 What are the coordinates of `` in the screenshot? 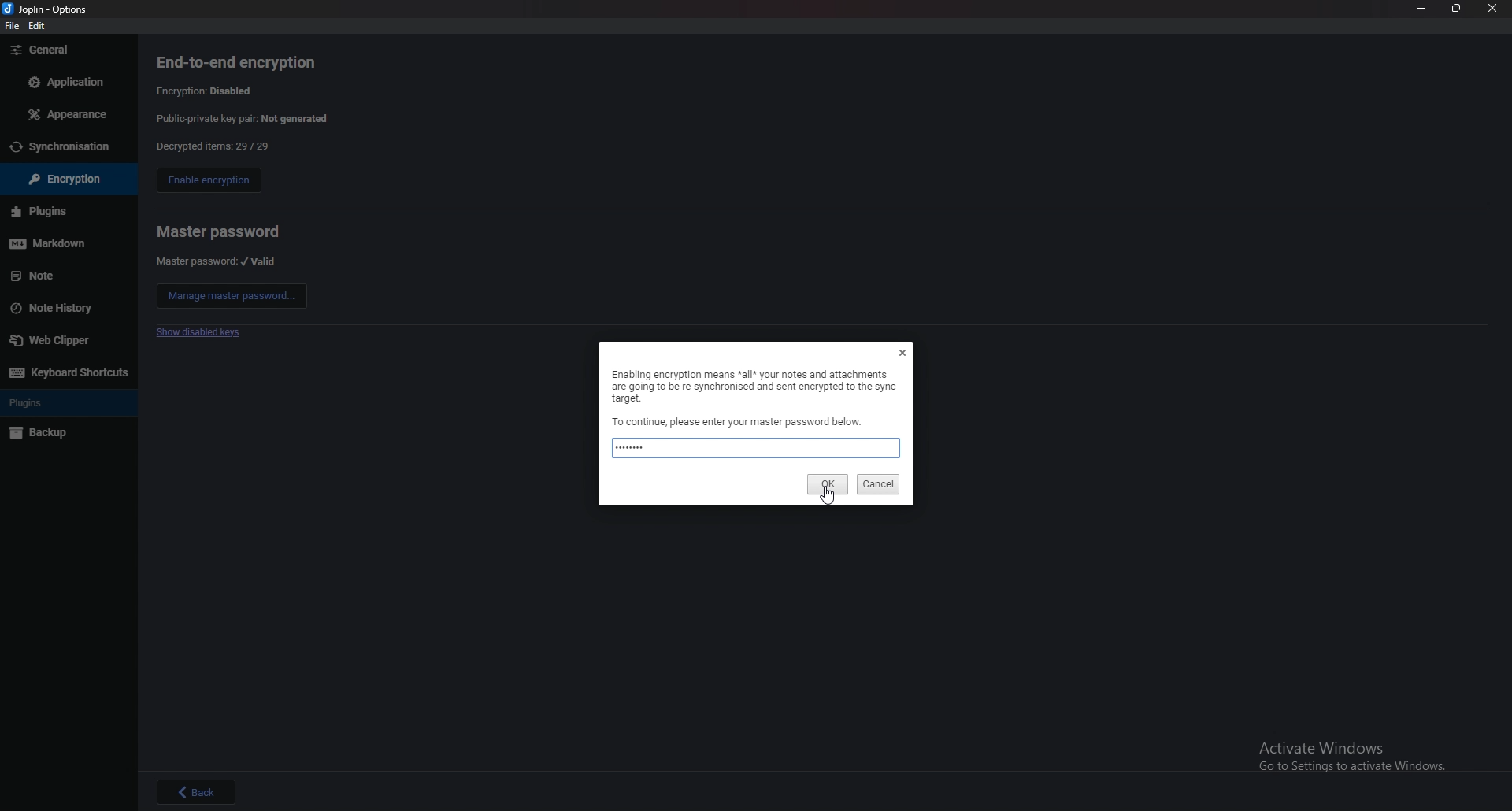 It's located at (44, 435).